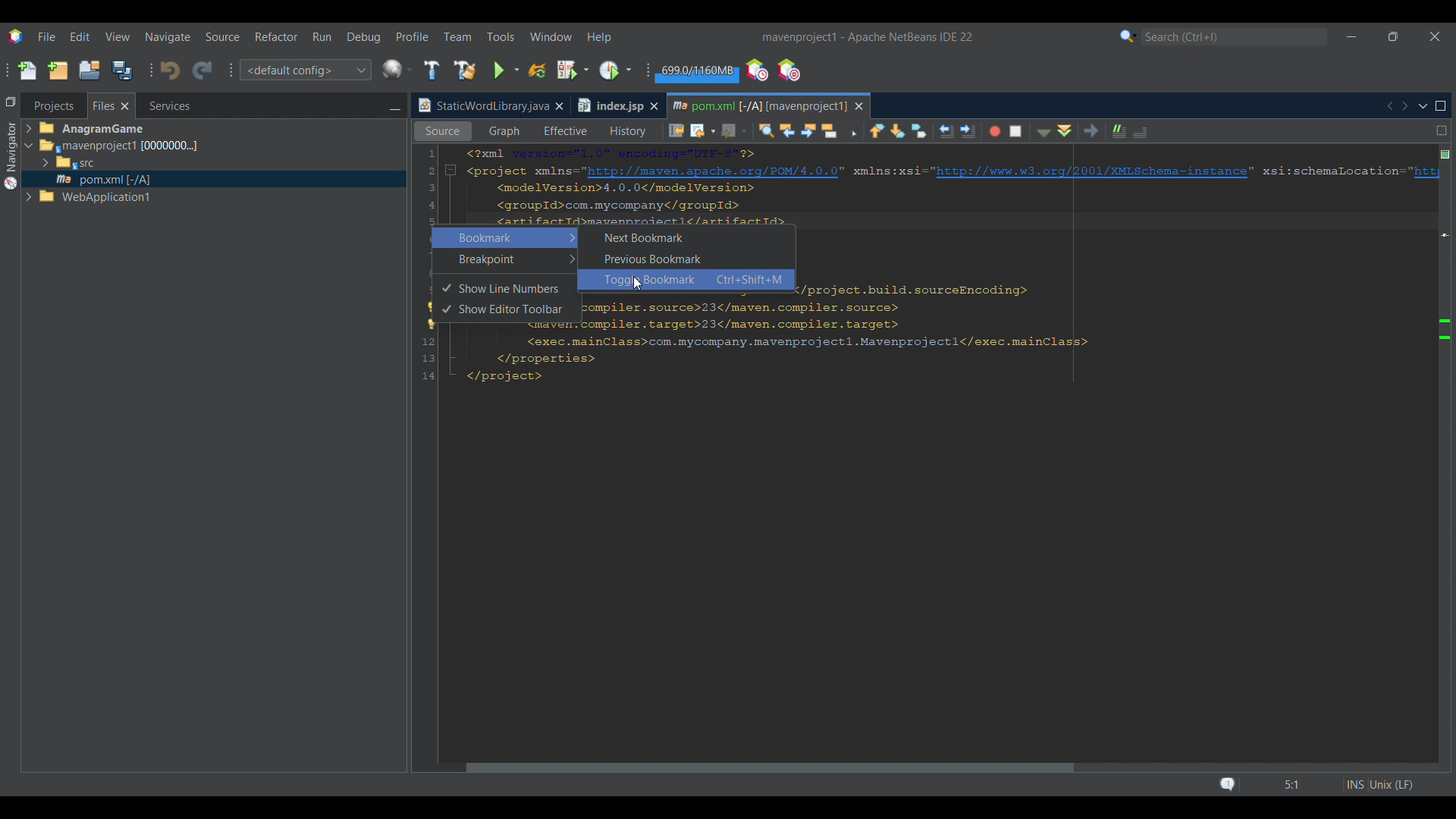 This screenshot has width=1456, height=819. I want to click on Previous bookmark, so click(877, 128).